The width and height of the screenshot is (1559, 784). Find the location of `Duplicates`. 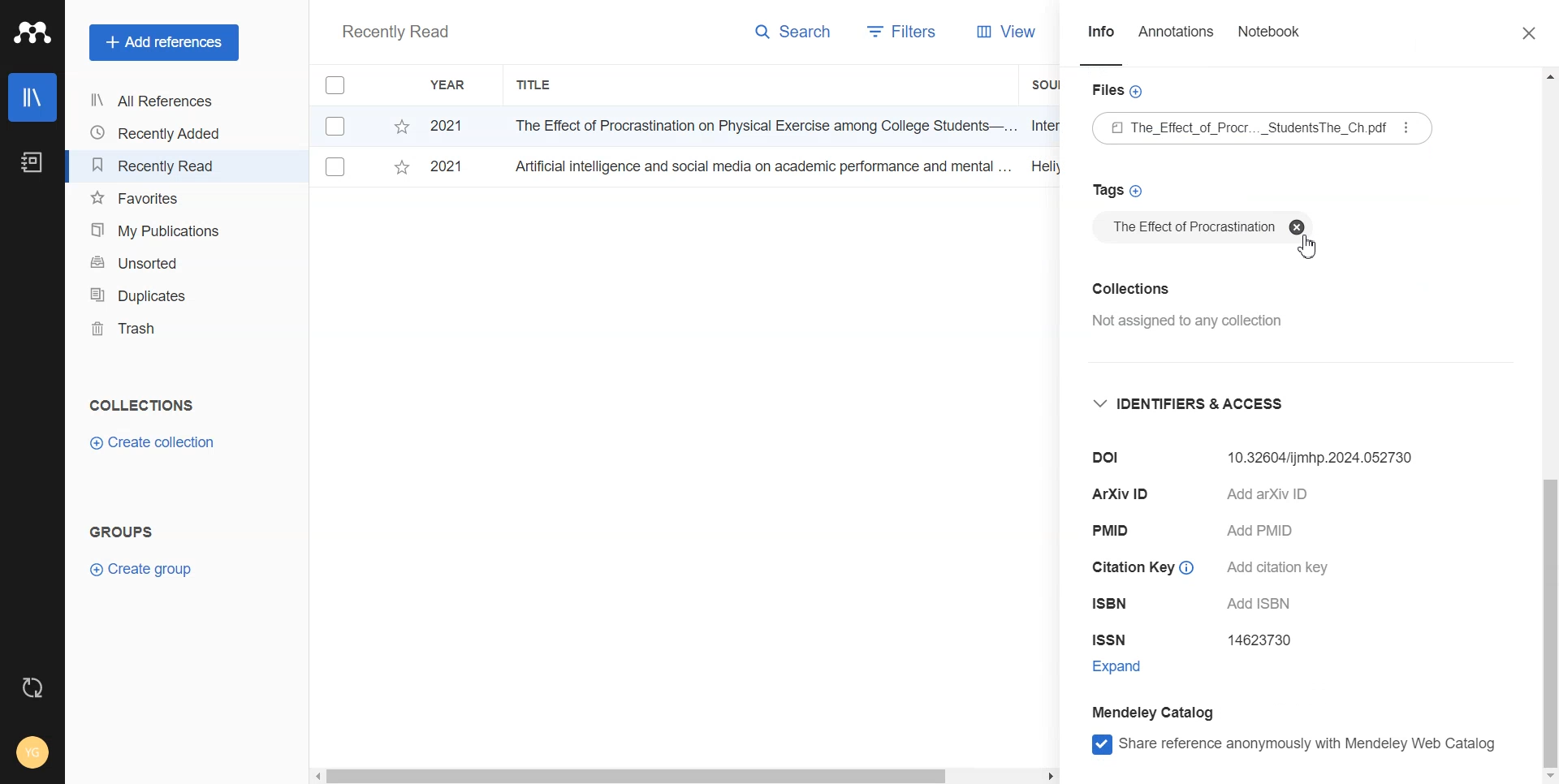

Duplicates is located at coordinates (159, 295).